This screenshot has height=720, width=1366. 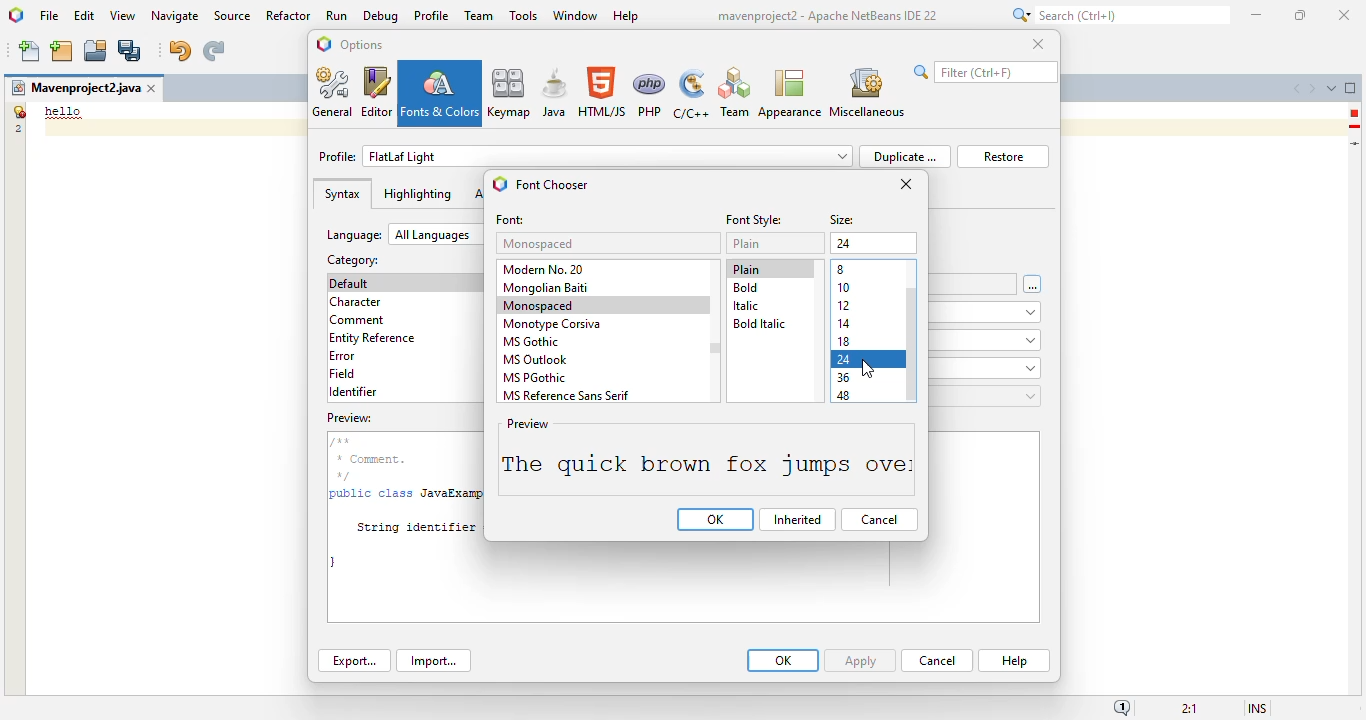 What do you see at coordinates (790, 94) in the screenshot?
I see `appearance` at bounding box center [790, 94].